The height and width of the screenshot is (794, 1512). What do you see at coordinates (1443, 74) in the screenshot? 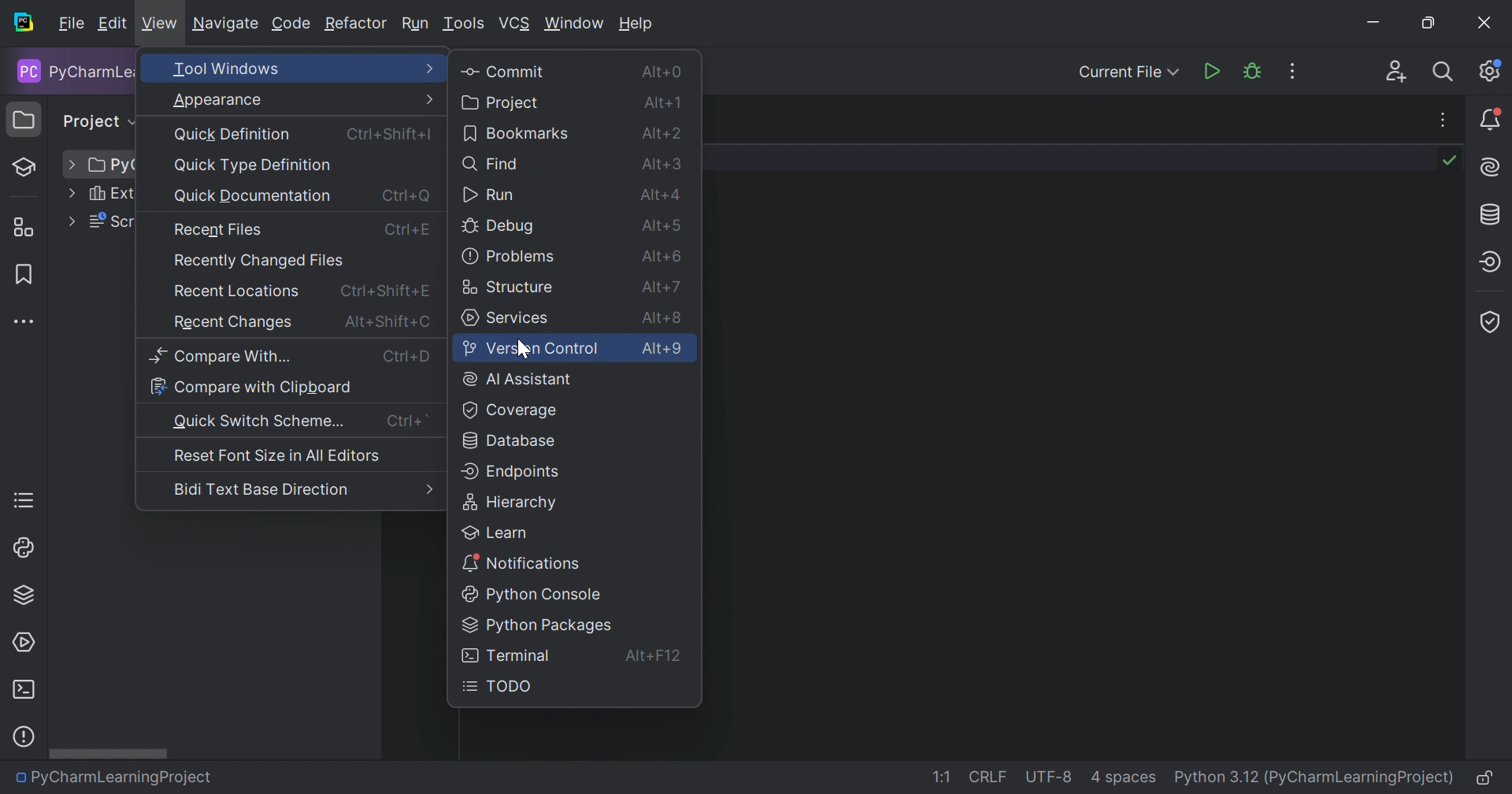
I see `Search everywhere` at bounding box center [1443, 74].